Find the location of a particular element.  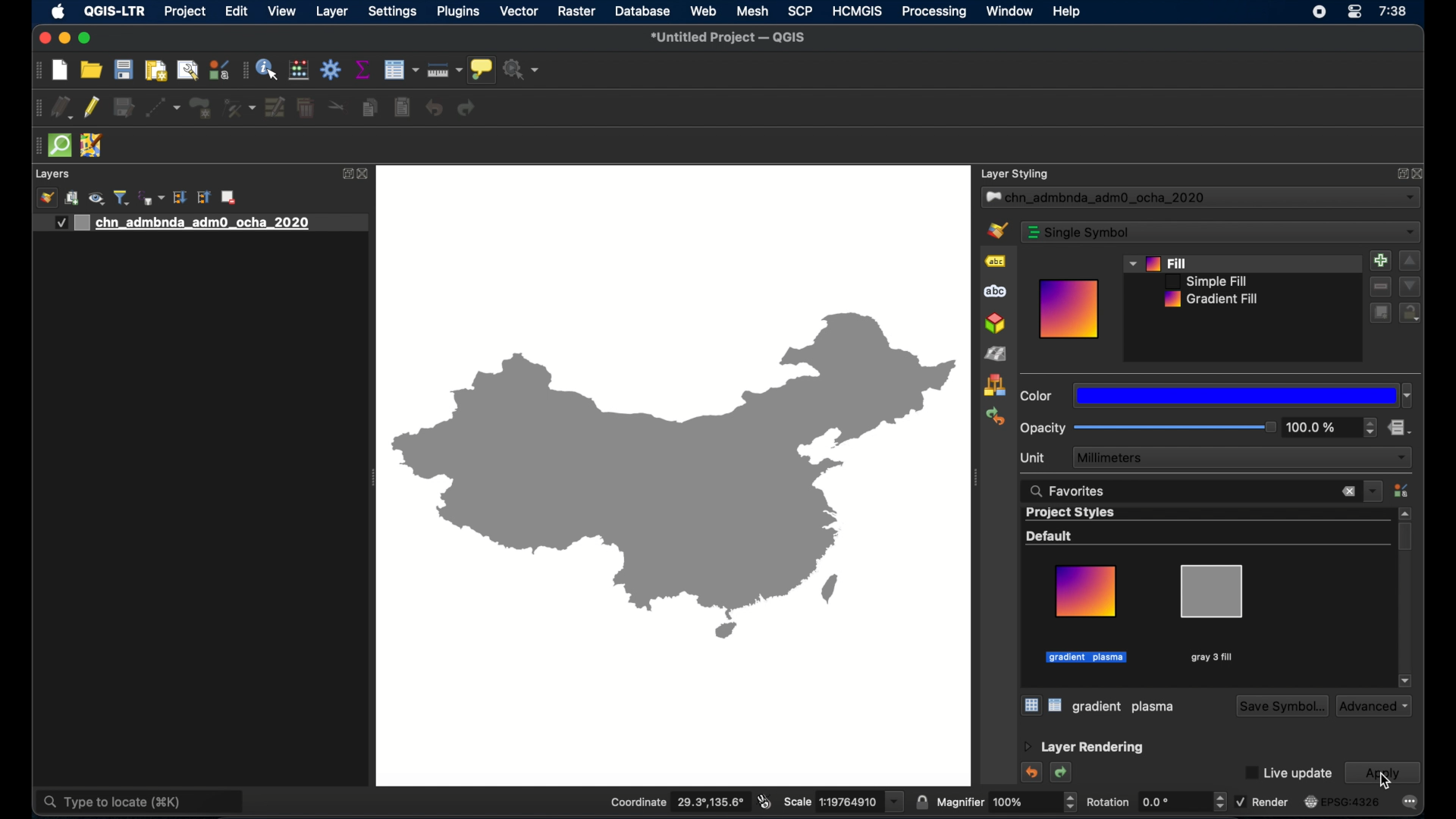

gradient plasma is located at coordinates (1087, 614).